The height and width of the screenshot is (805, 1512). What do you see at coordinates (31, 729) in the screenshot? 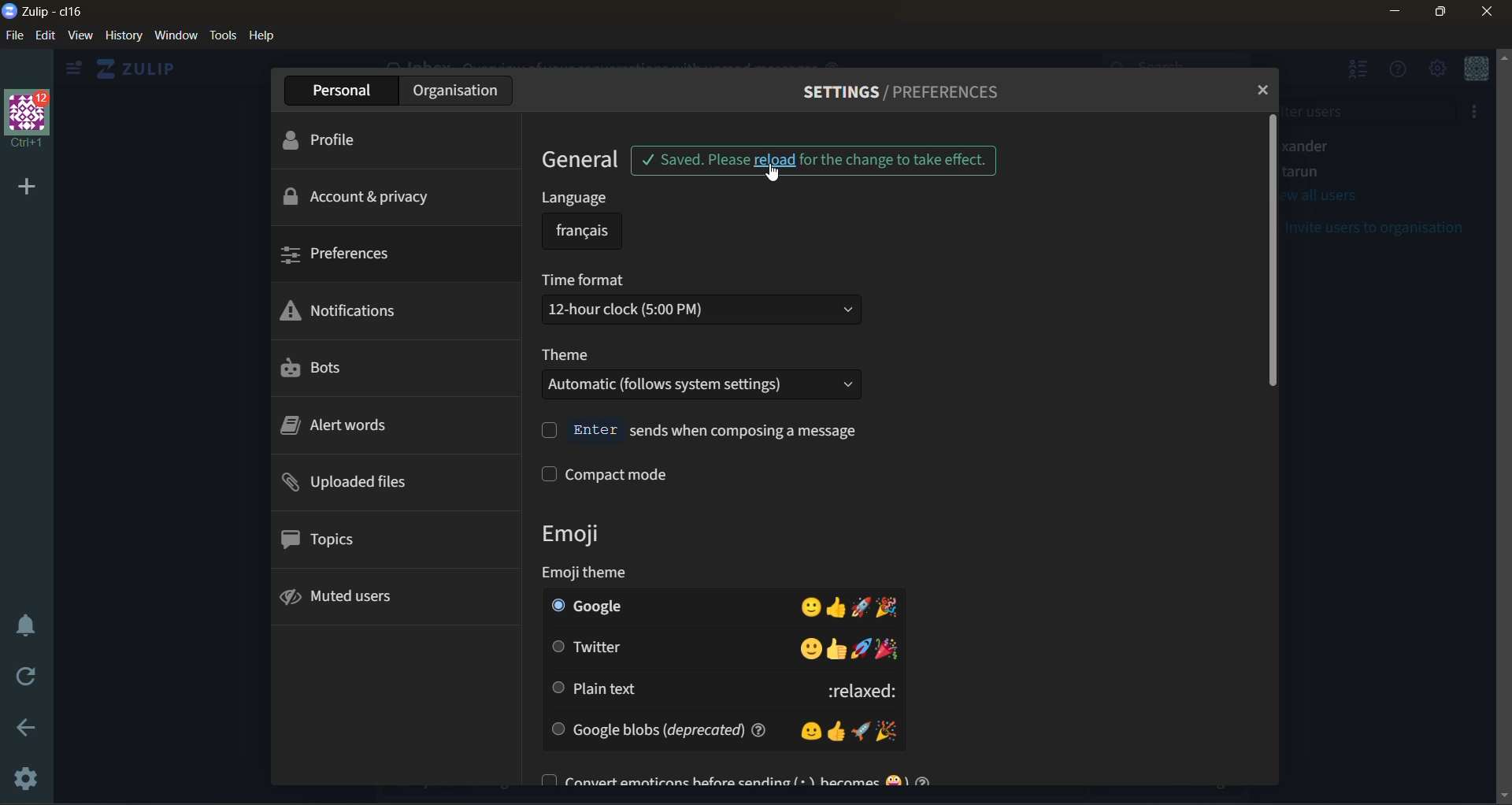
I see `go back` at bounding box center [31, 729].